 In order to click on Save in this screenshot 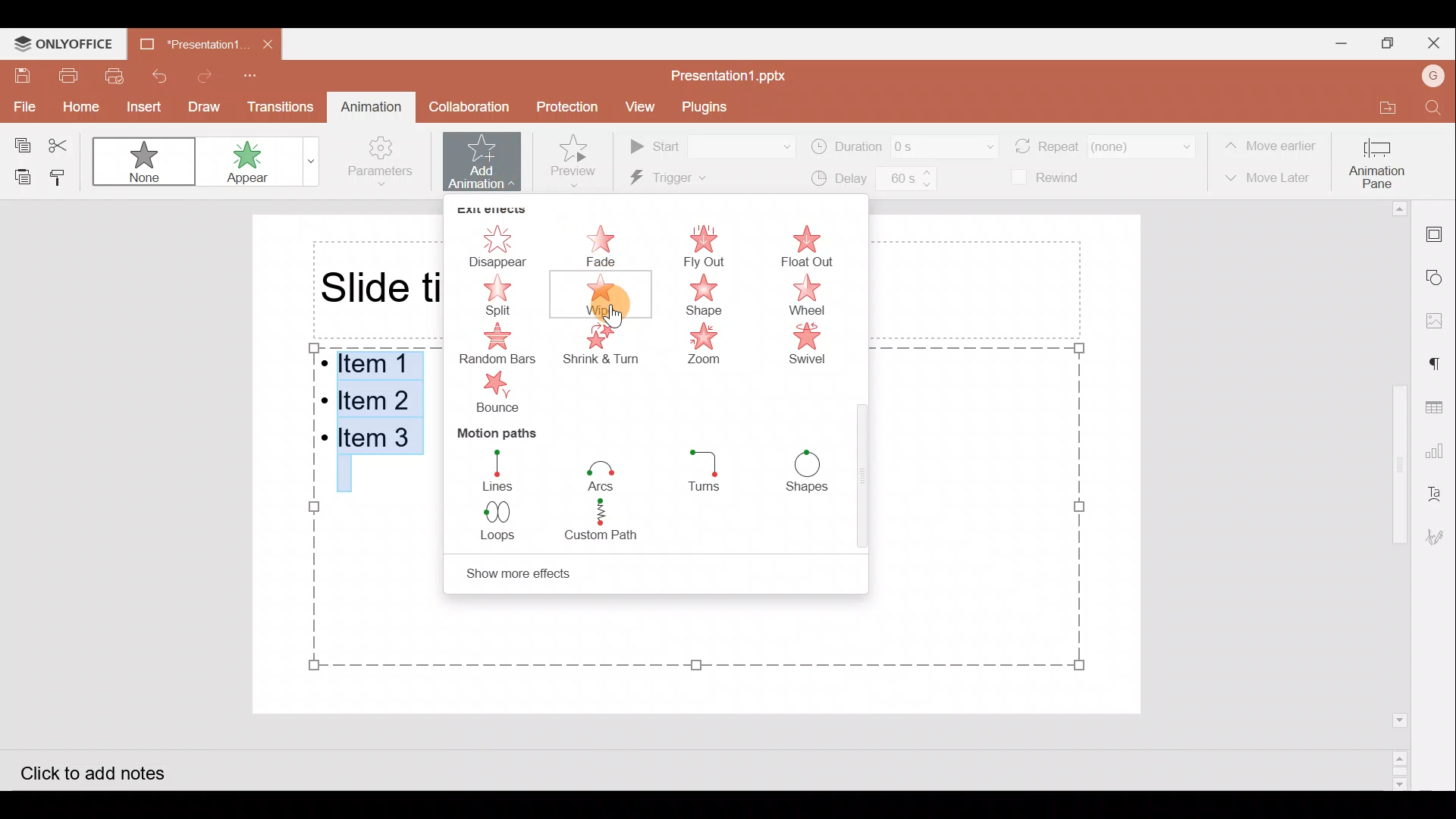, I will do `click(21, 76)`.